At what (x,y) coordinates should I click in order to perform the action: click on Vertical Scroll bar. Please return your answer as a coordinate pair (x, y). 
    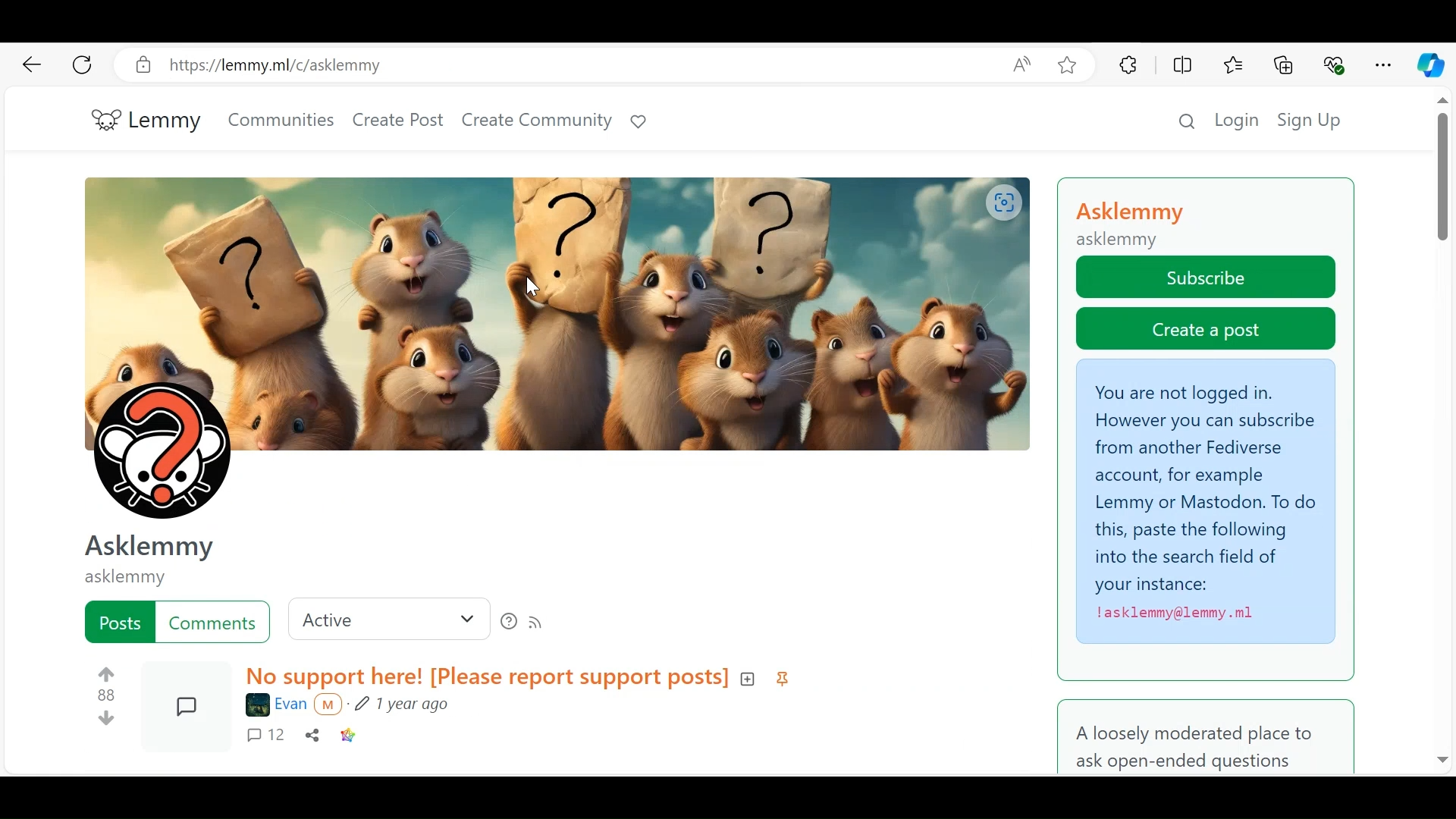
    Looking at the image, I should click on (1443, 184).